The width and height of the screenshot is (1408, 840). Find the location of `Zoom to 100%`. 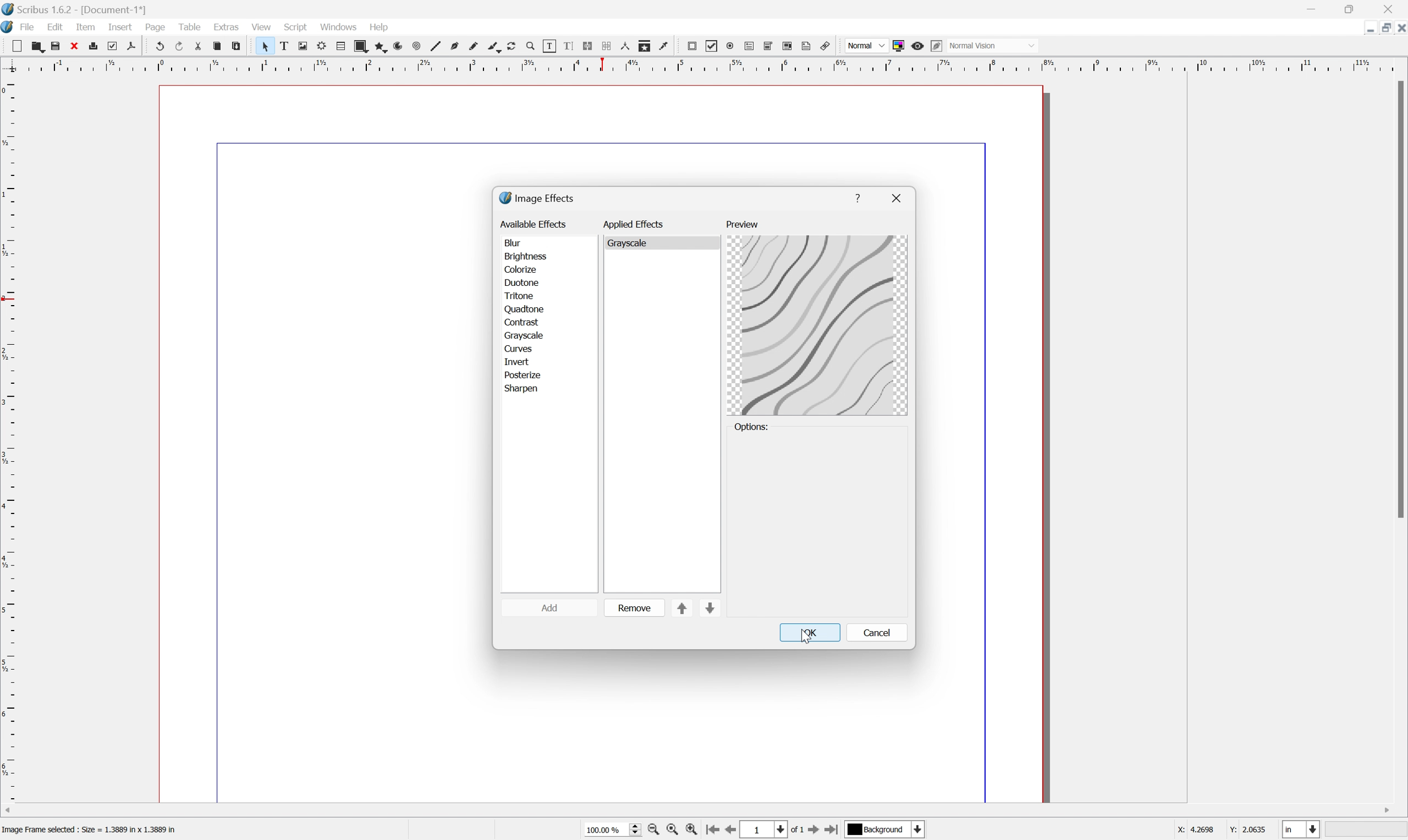

Zoom to 100% is located at coordinates (672, 830).